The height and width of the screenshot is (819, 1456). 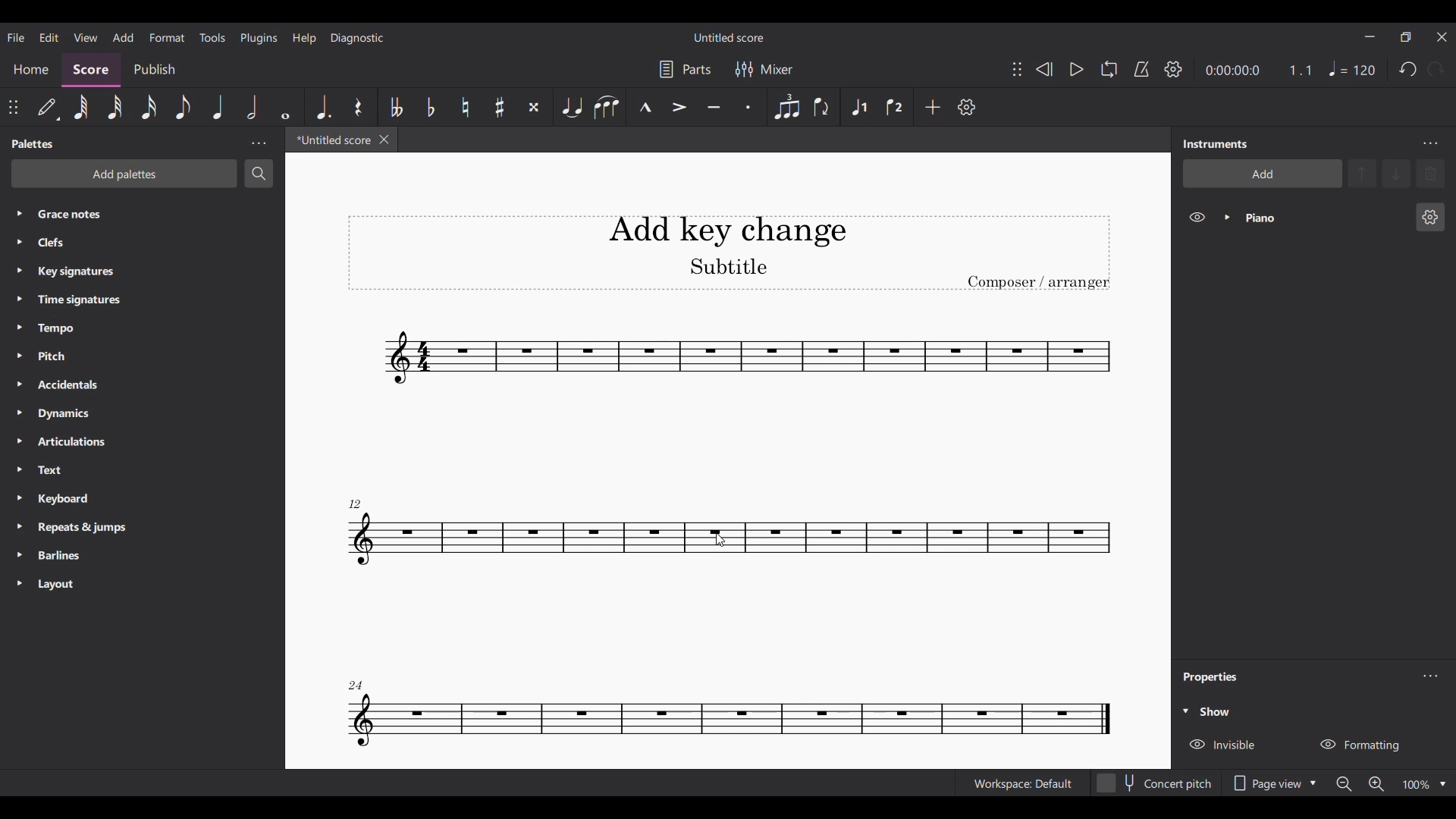 What do you see at coordinates (1213, 677) in the screenshot?
I see `Panel title` at bounding box center [1213, 677].